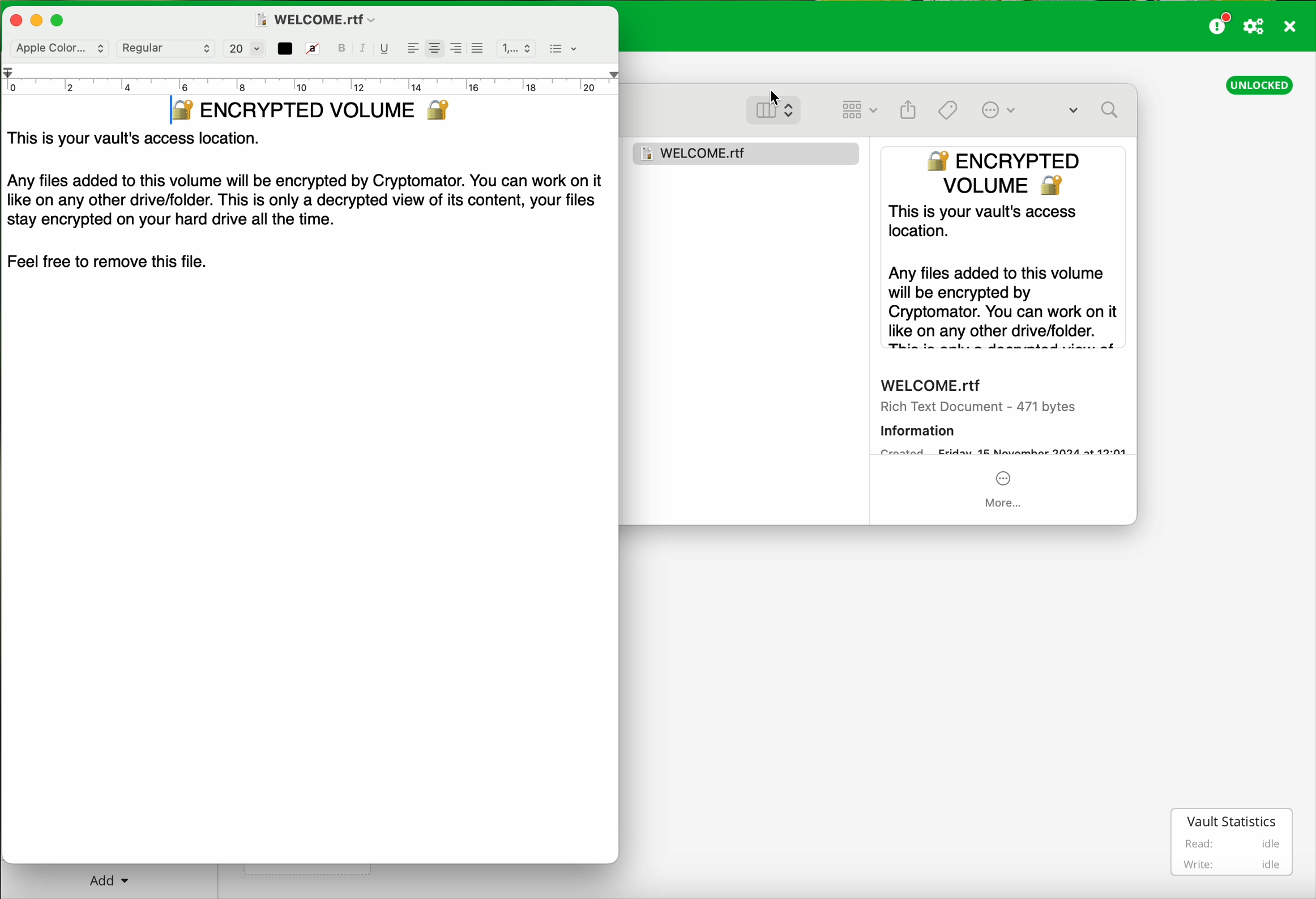 The height and width of the screenshot is (899, 1316). I want to click on Regular, so click(165, 48).